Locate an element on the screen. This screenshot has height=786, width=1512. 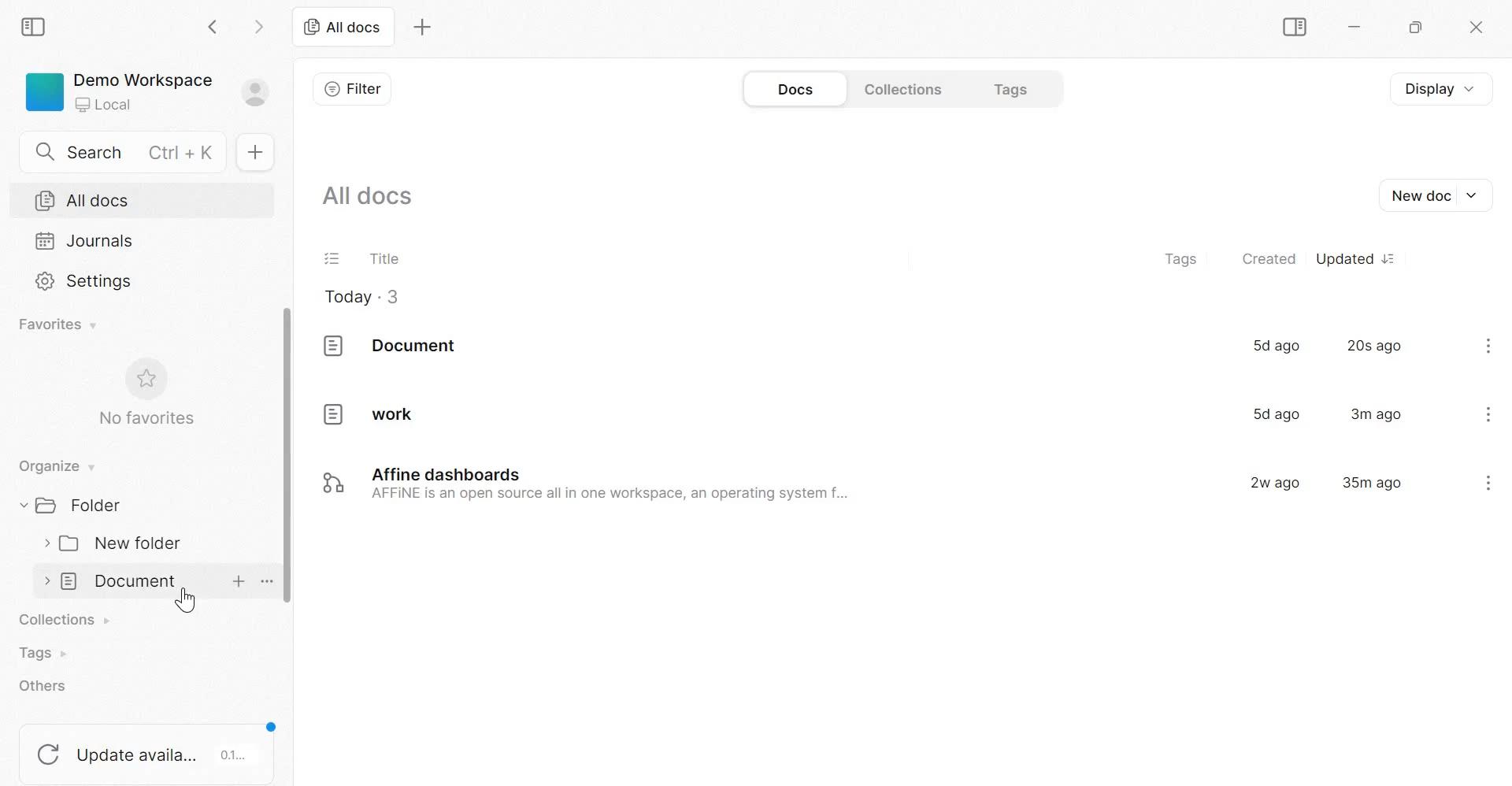
No favorites is located at coordinates (146, 395).